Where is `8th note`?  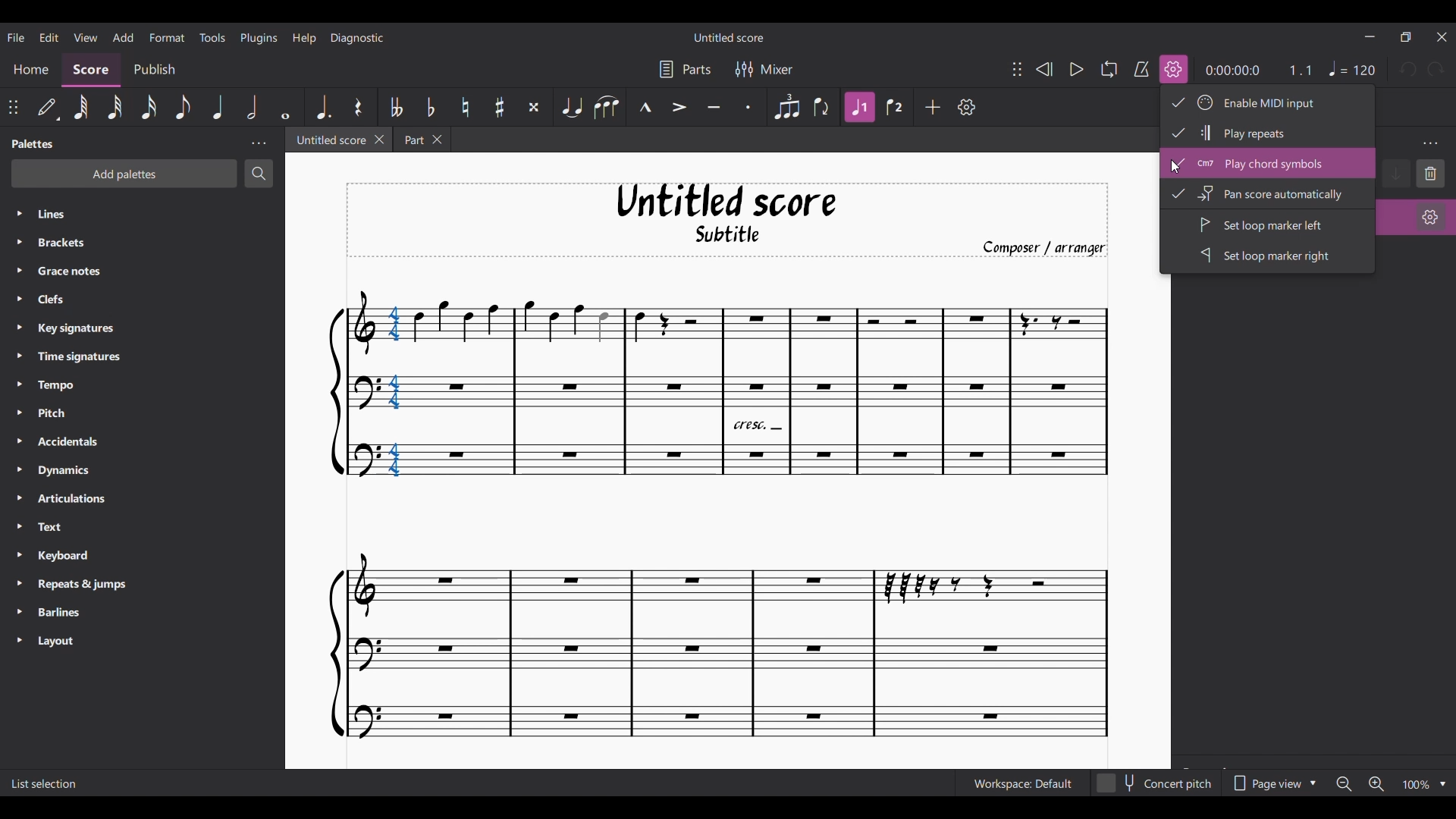
8th note is located at coordinates (182, 108).